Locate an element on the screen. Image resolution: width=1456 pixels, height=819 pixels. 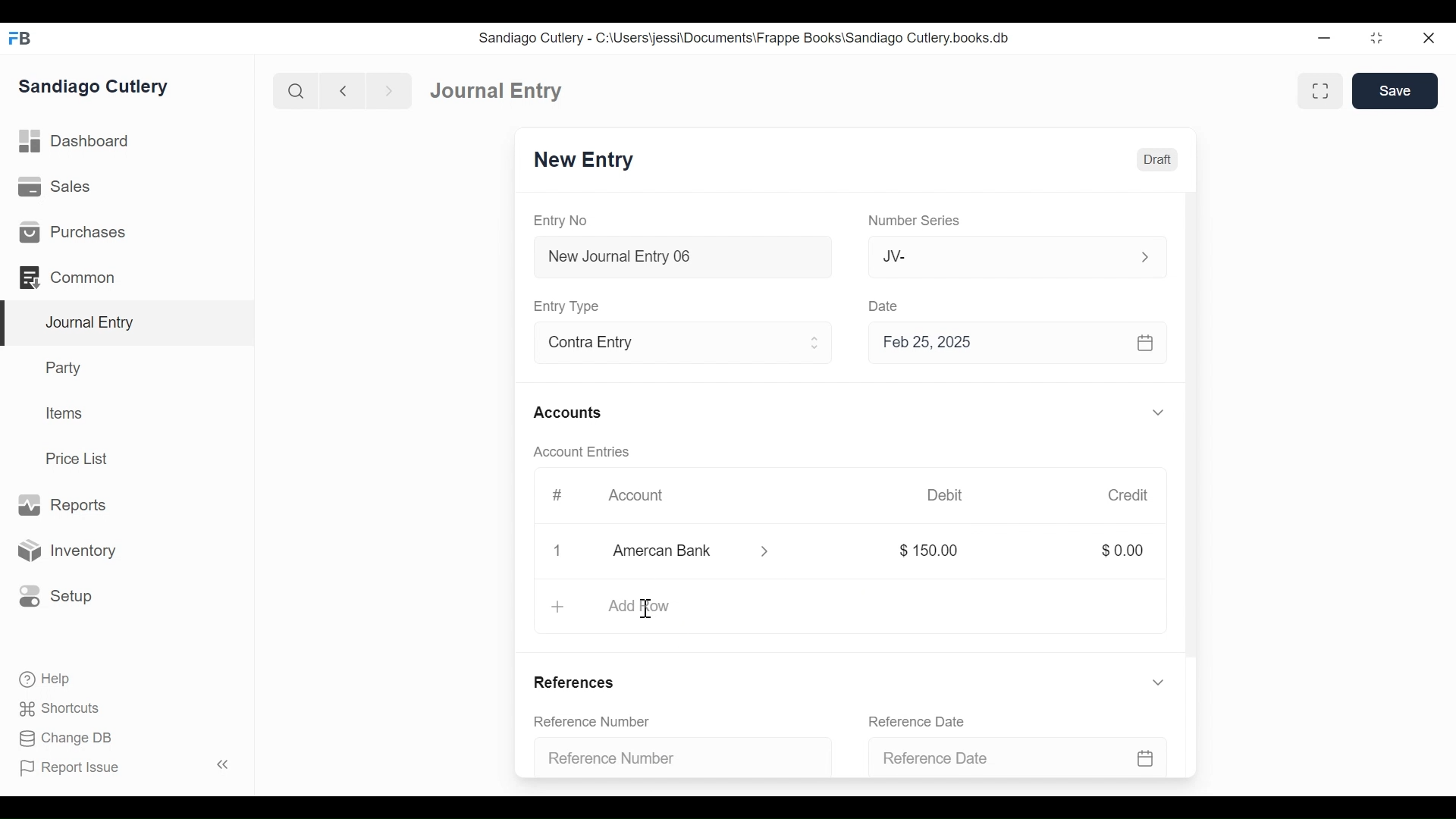
Restore is located at coordinates (1379, 37).